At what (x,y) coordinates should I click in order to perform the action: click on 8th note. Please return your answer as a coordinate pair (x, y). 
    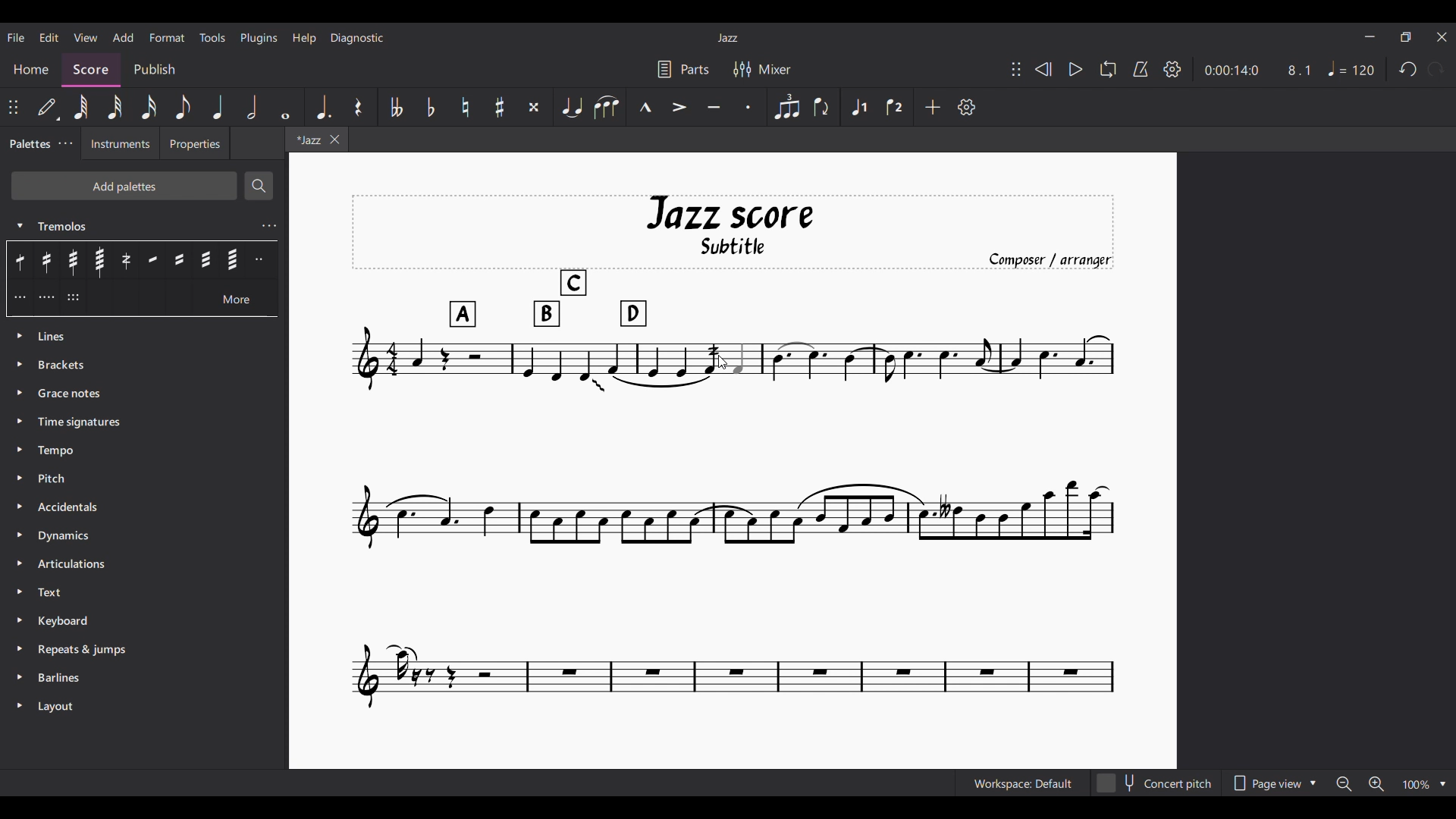
    Looking at the image, I should click on (183, 106).